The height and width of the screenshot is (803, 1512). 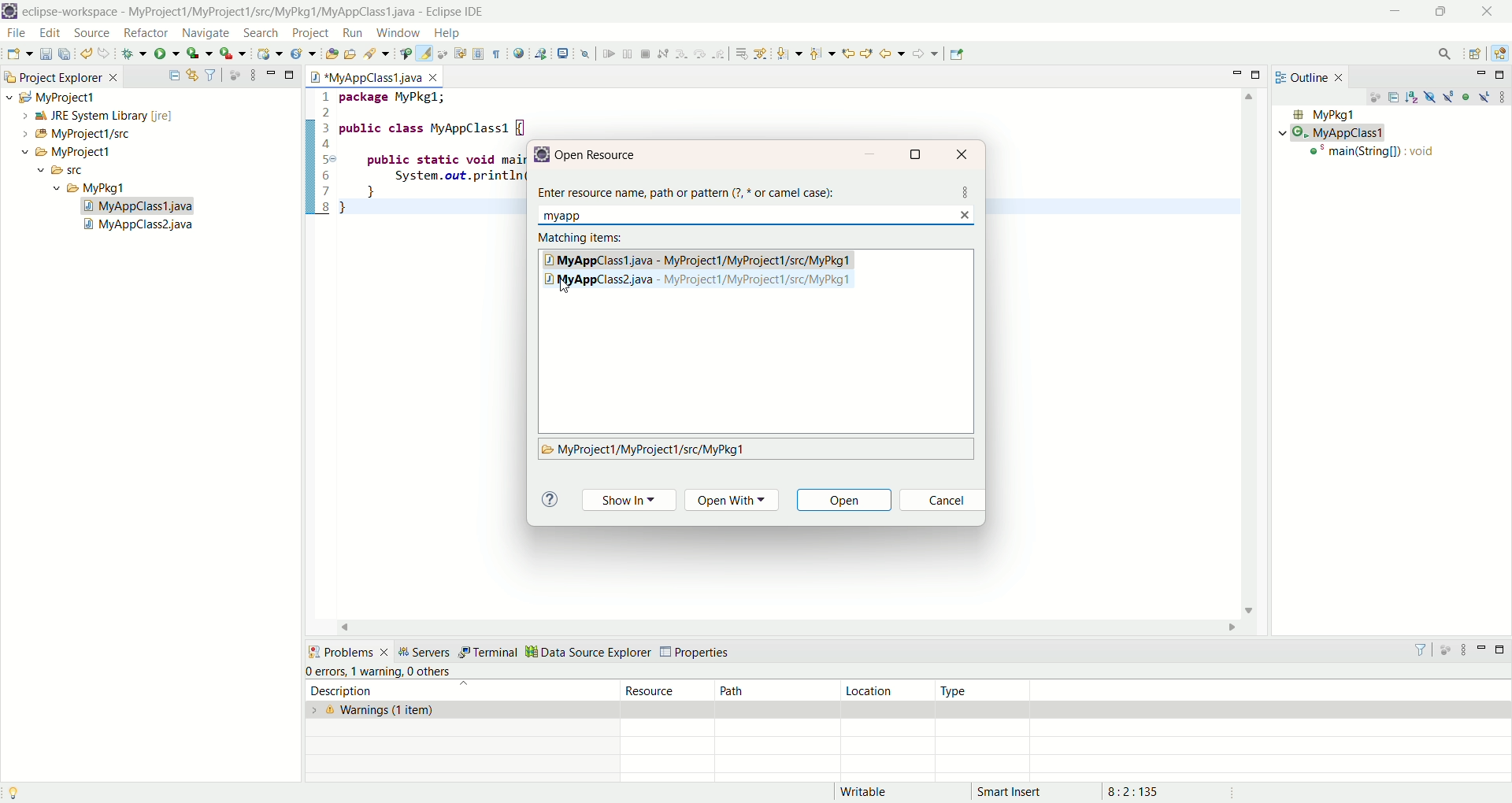 What do you see at coordinates (90, 116) in the screenshot?
I see `JRE system library` at bounding box center [90, 116].